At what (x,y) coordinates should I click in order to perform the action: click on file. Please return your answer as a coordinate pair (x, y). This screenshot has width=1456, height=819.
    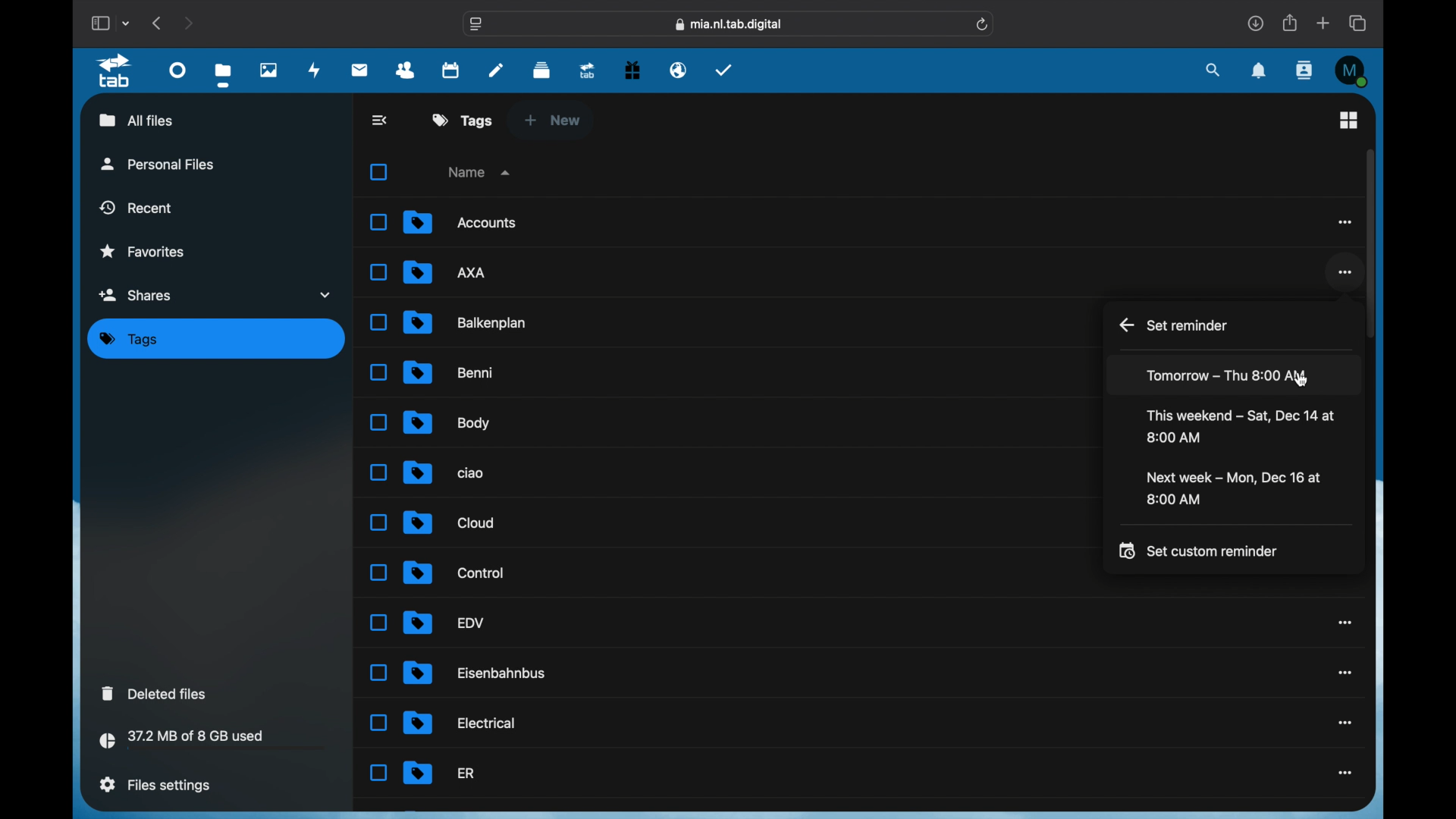
    Looking at the image, I should click on (450, 373).